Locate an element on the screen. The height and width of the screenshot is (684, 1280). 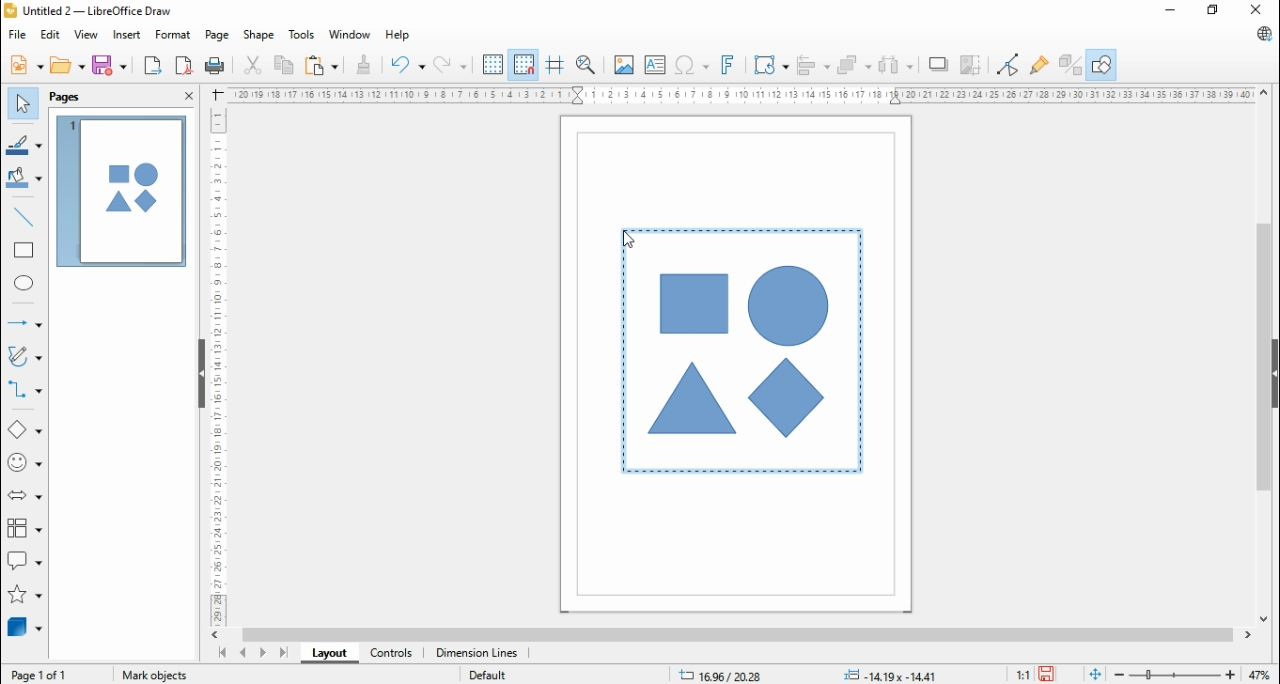
3D objects is located at coordinates (24, 626).